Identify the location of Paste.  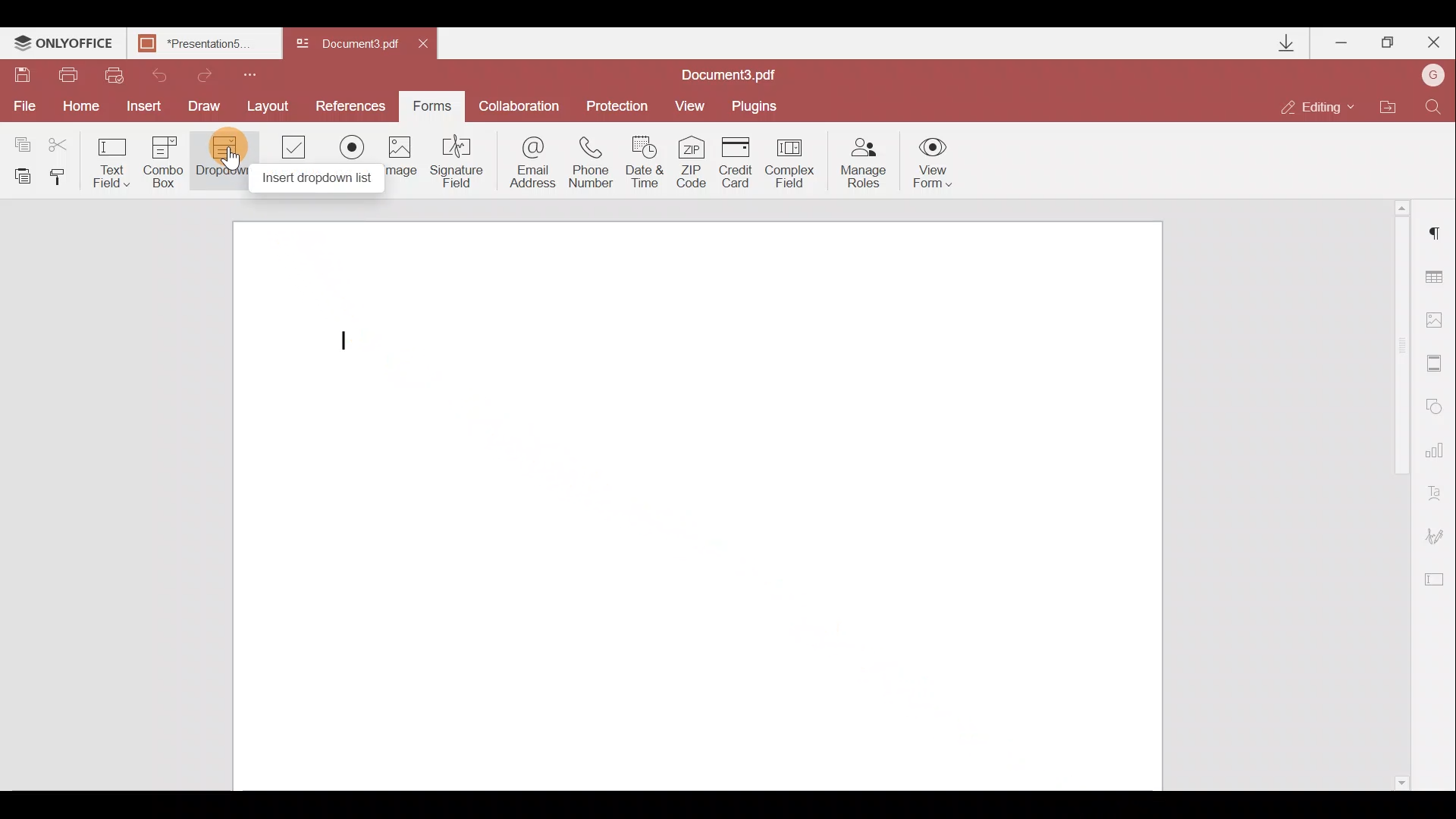
(23, 175).